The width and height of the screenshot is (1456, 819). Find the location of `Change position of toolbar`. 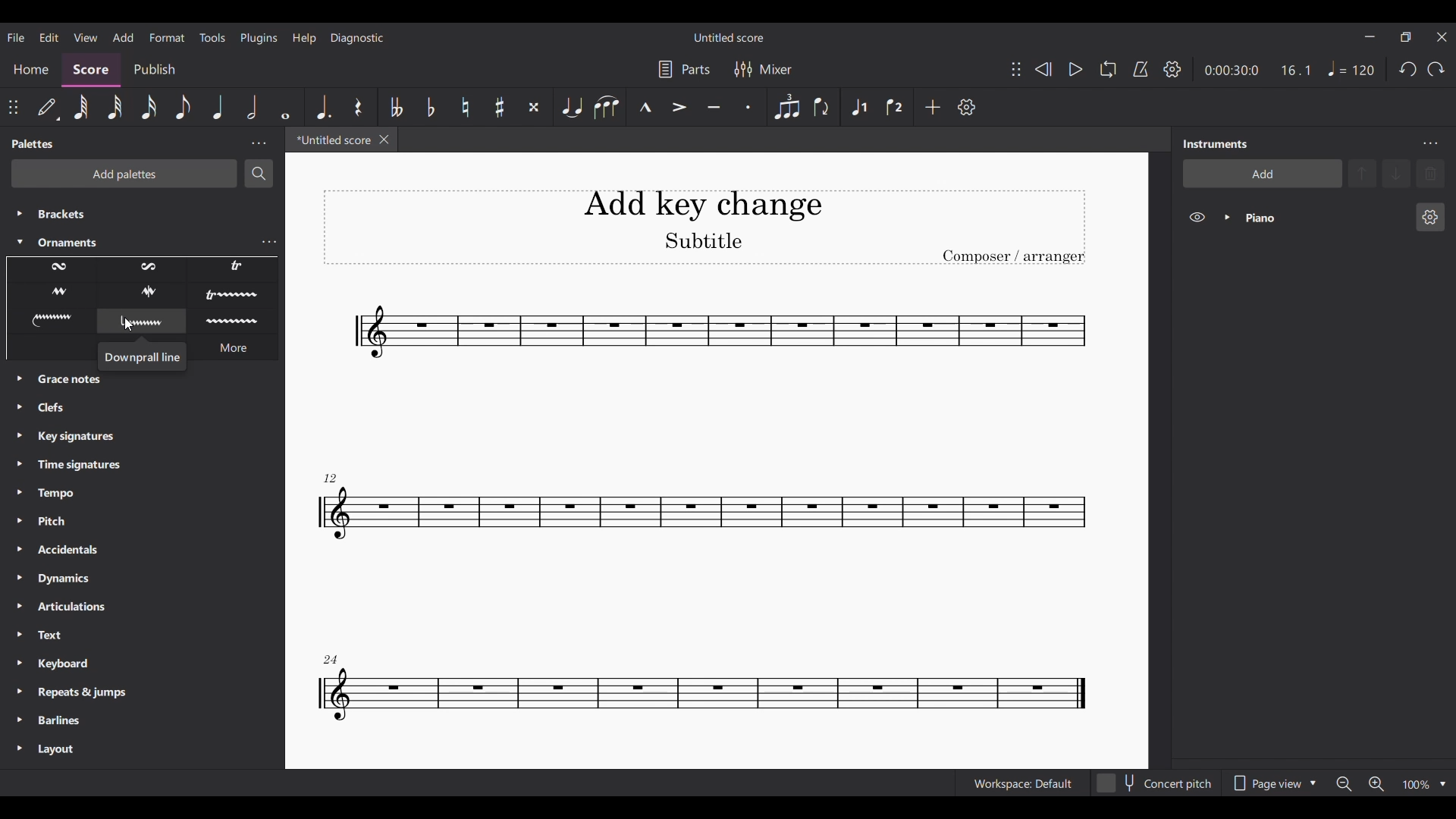

Change position of toolbar is located at coordinates (13, 108).